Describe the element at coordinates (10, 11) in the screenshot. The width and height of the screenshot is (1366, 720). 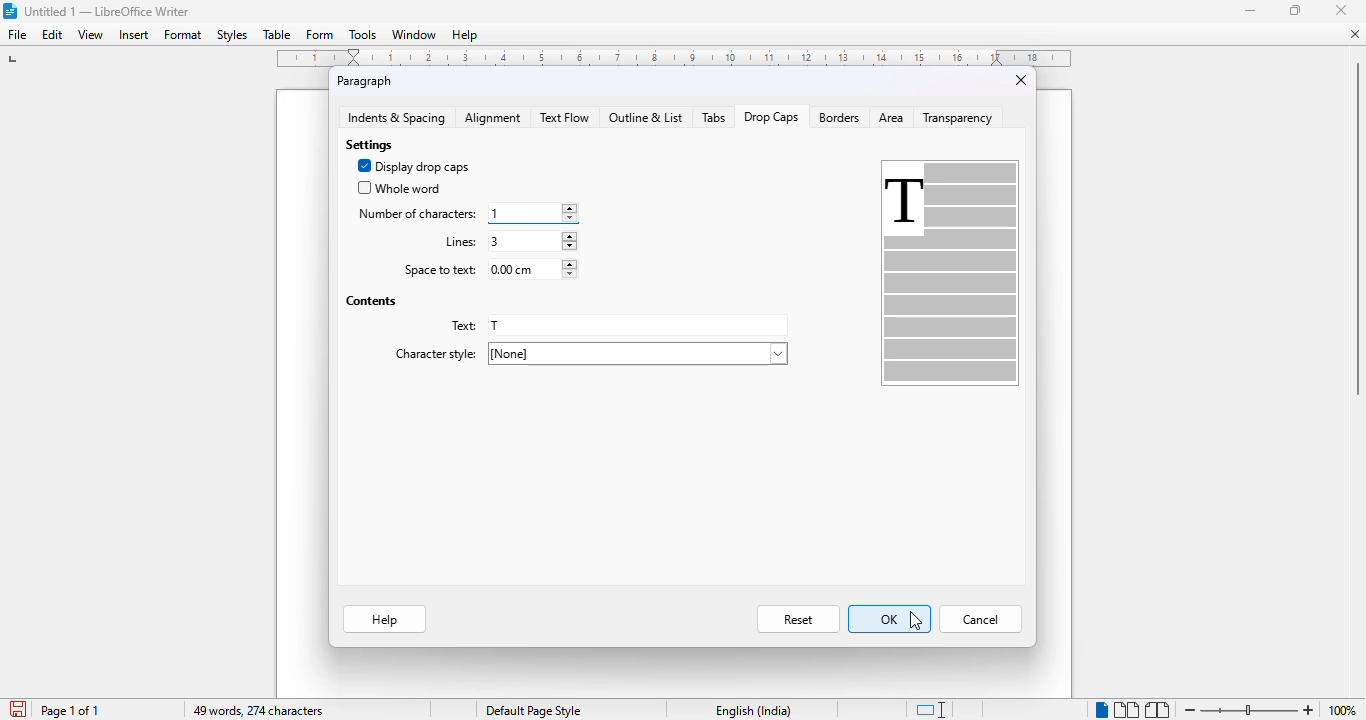
I see `logo` at that location.